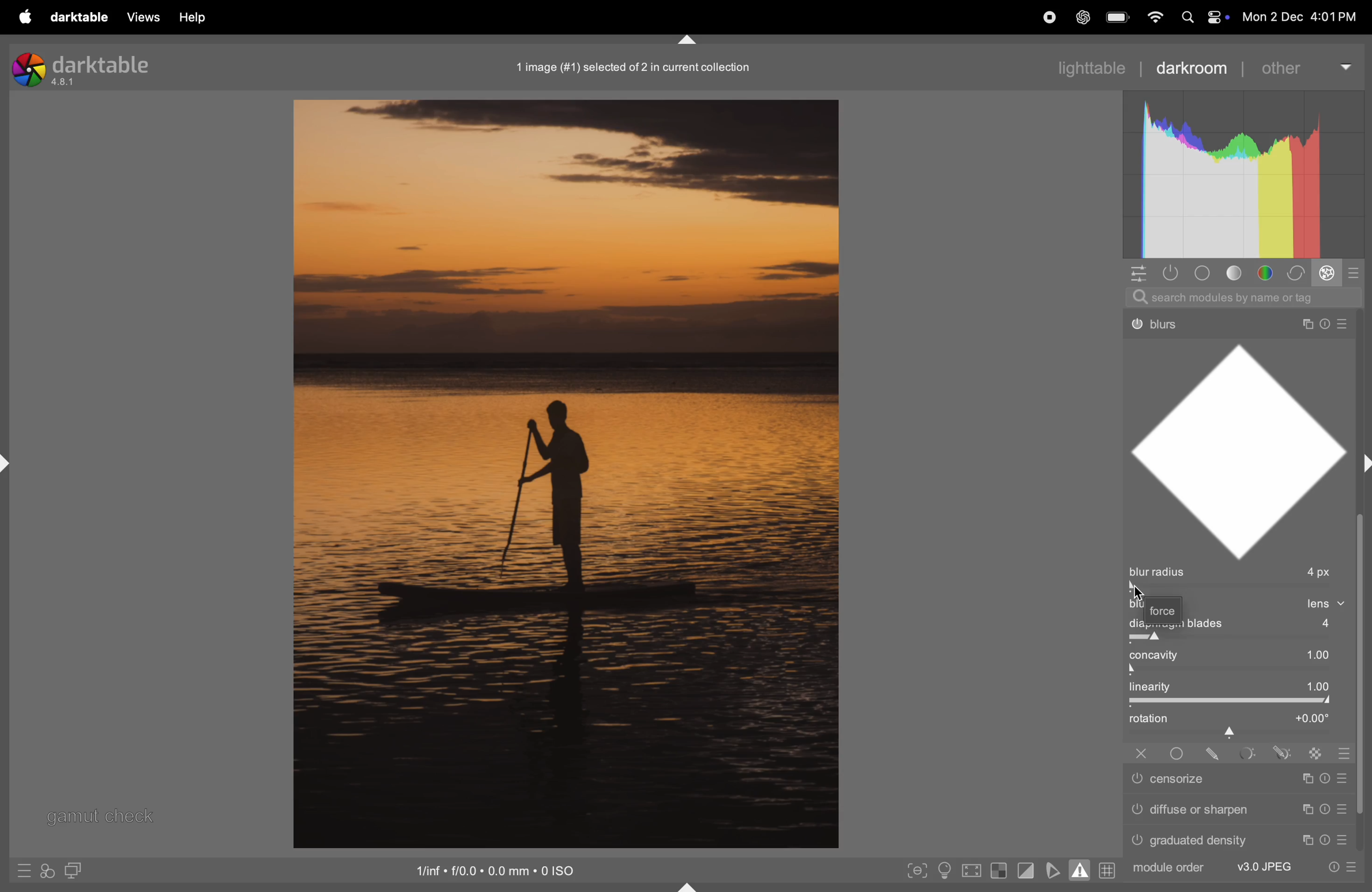 The height and width of the screenshot is (892, 1372). I want to click on chatgpt, so click(1083, 16).